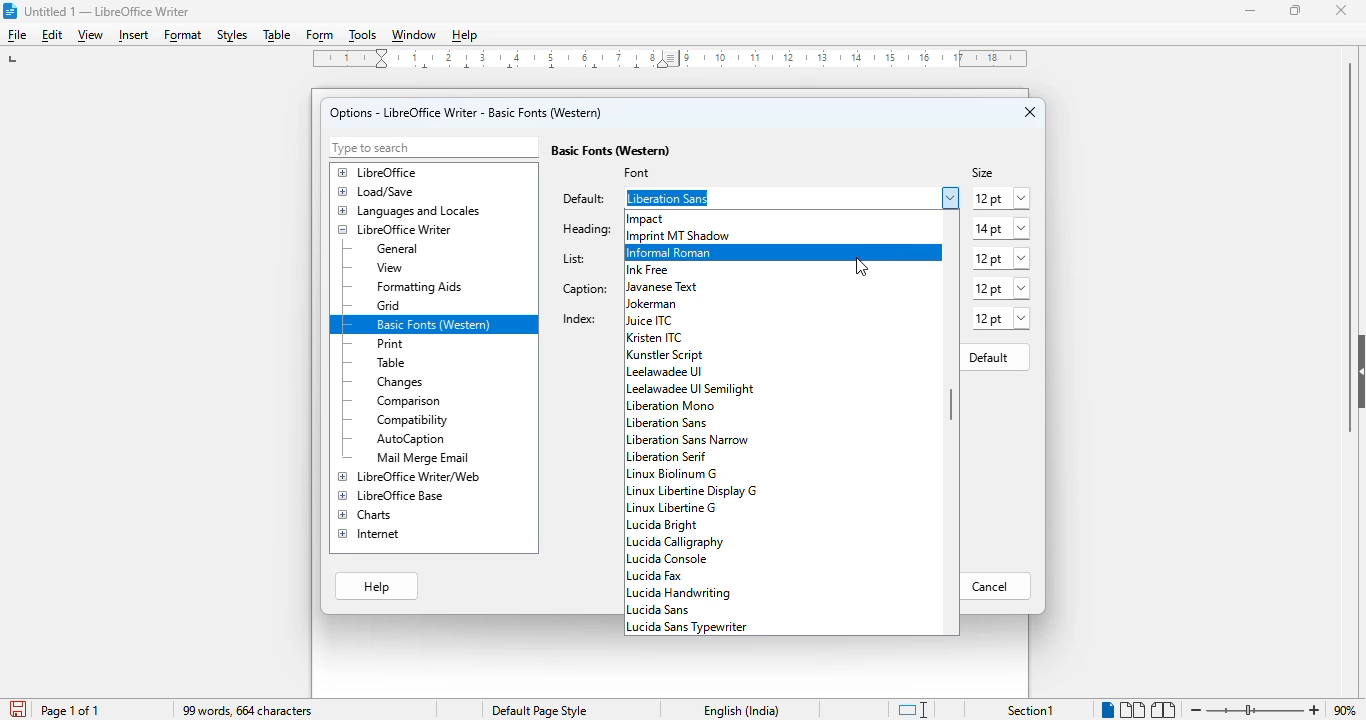 The image size is (1366, 720). Describe the element at coordinates (577, 319) in the screenshot. I see `index: ` at that location.